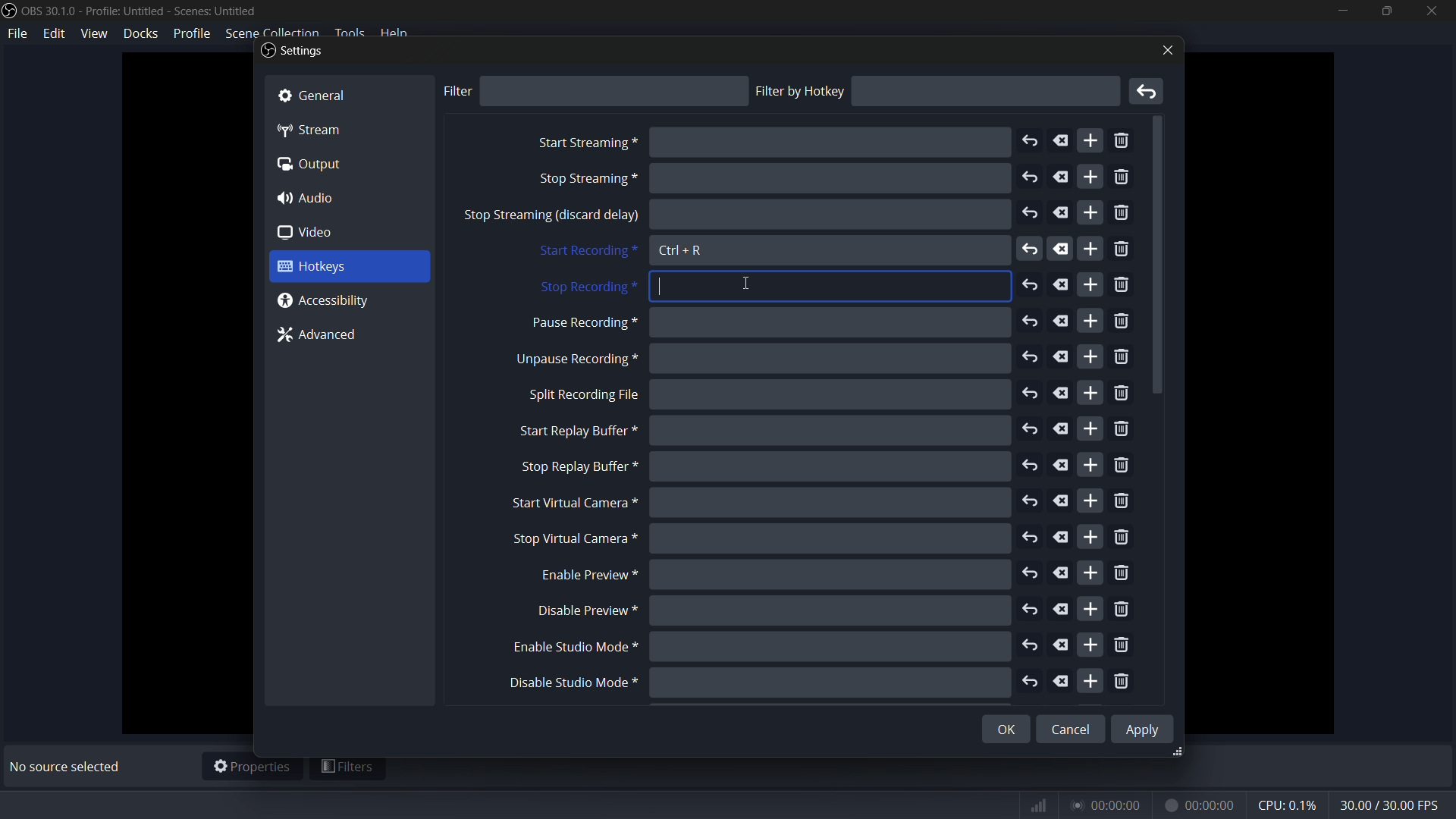 This screenshot has width=1456, height=819. Describe the element at coordinates (1090, 574) in the screenshot. I see `add more` at that location.